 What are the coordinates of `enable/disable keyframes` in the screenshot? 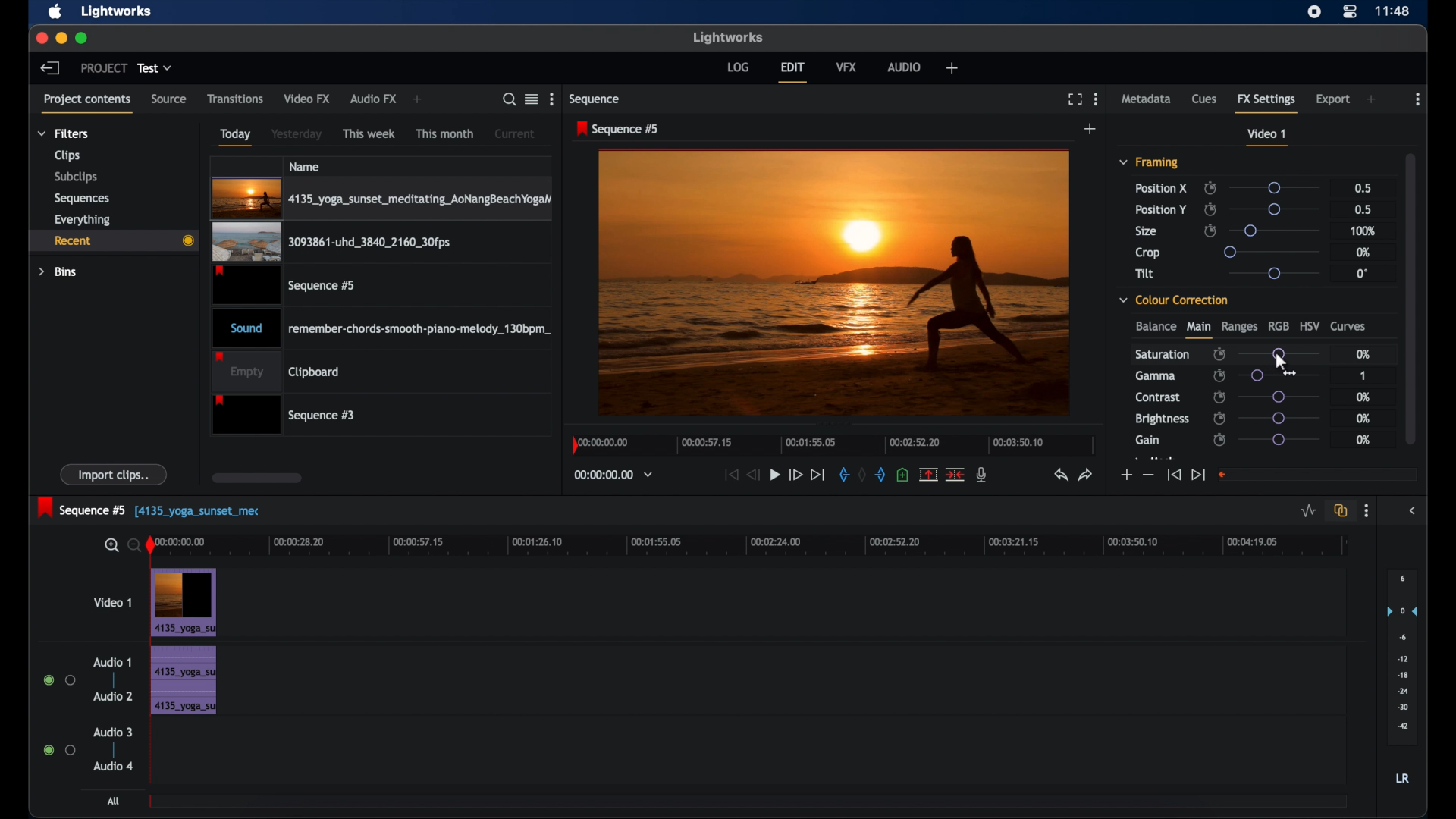 It's located at (1220, 397).